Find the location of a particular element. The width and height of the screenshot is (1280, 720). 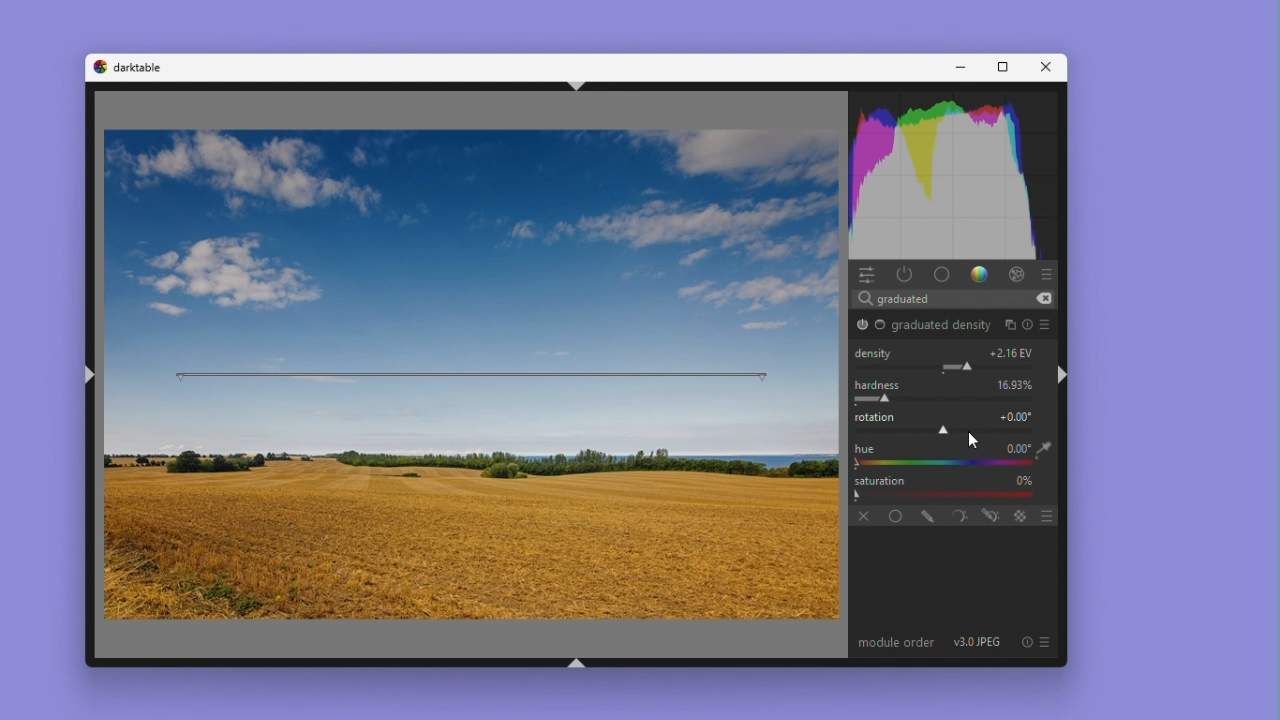

darktable logo is located at coordinates (98, 67).